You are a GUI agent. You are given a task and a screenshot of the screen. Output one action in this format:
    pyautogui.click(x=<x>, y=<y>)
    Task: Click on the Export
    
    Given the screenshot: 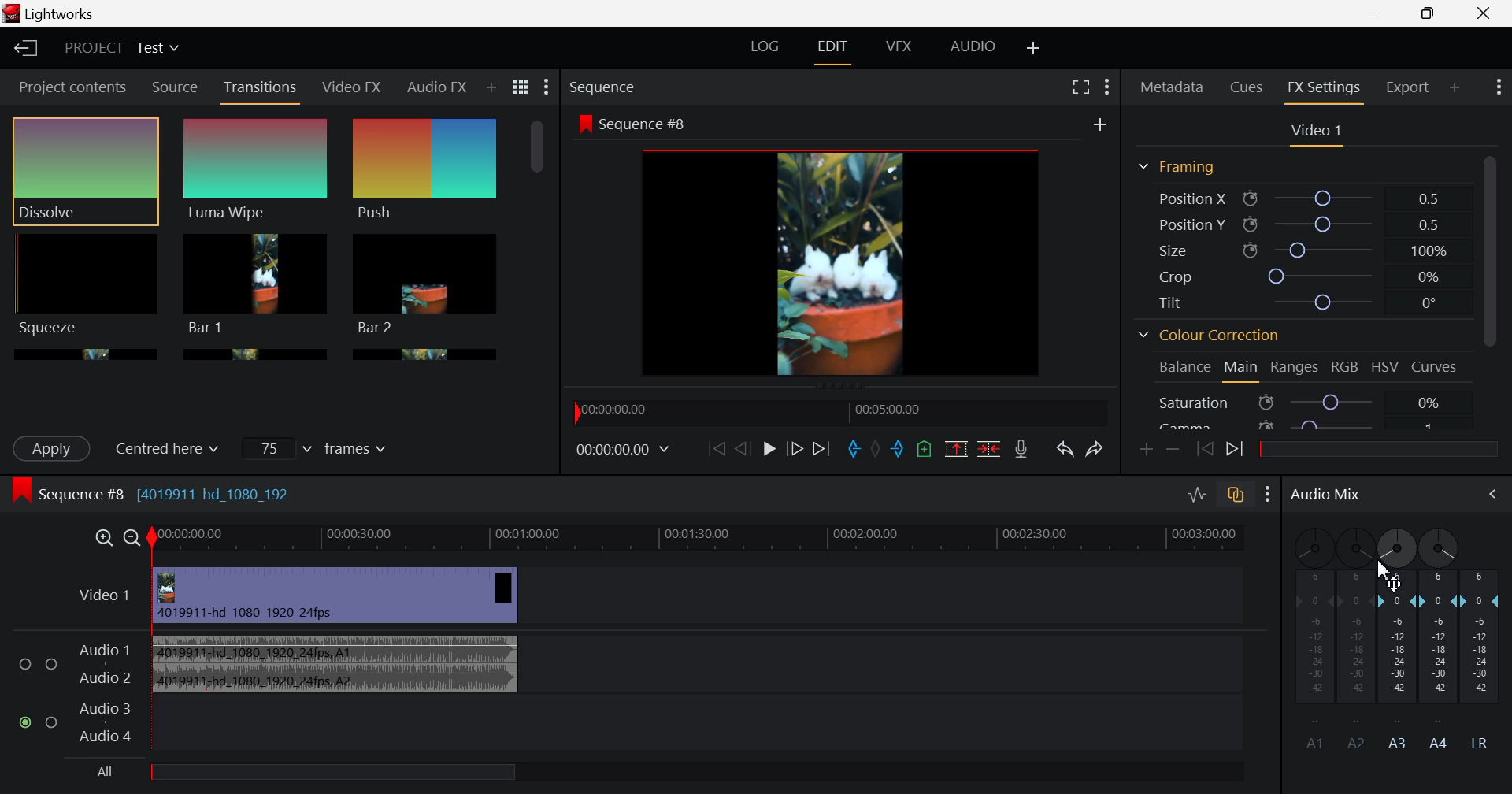 What is the action you would take?
    pyautogui.click(x=1408, y=87)
    